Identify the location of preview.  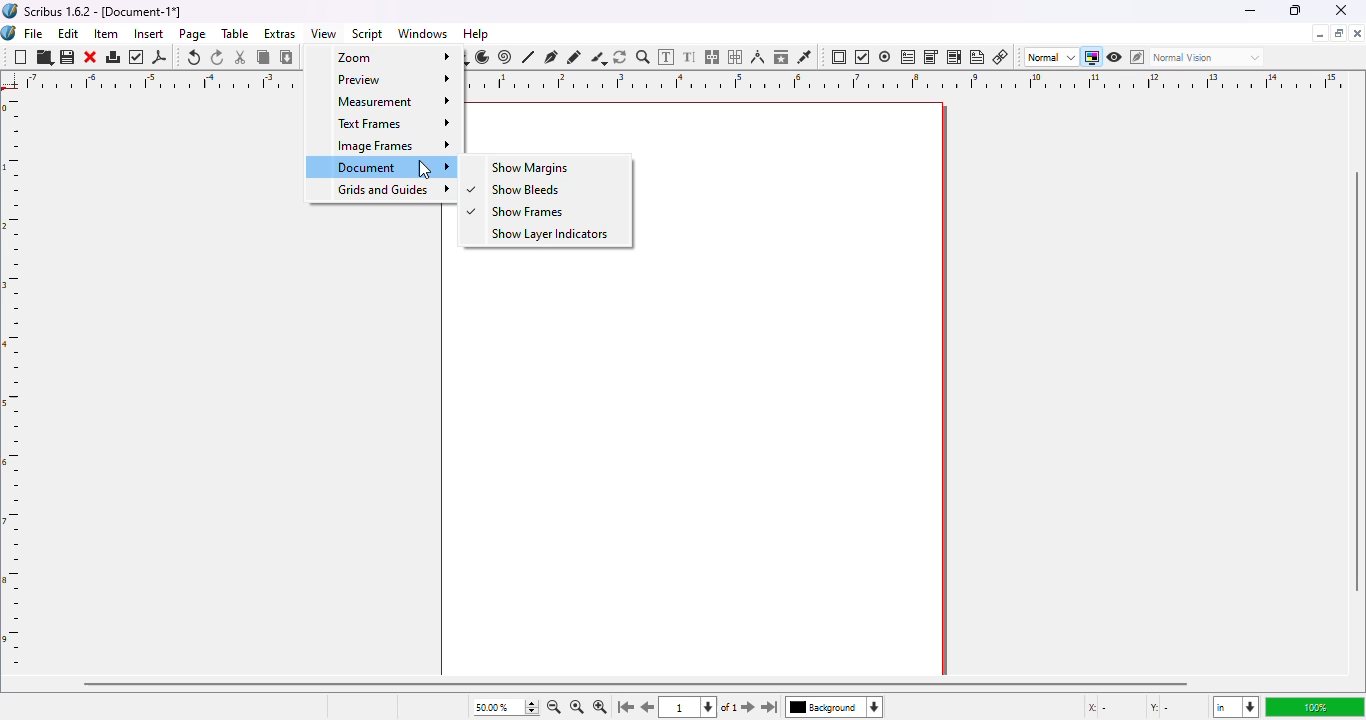
(386, 79).